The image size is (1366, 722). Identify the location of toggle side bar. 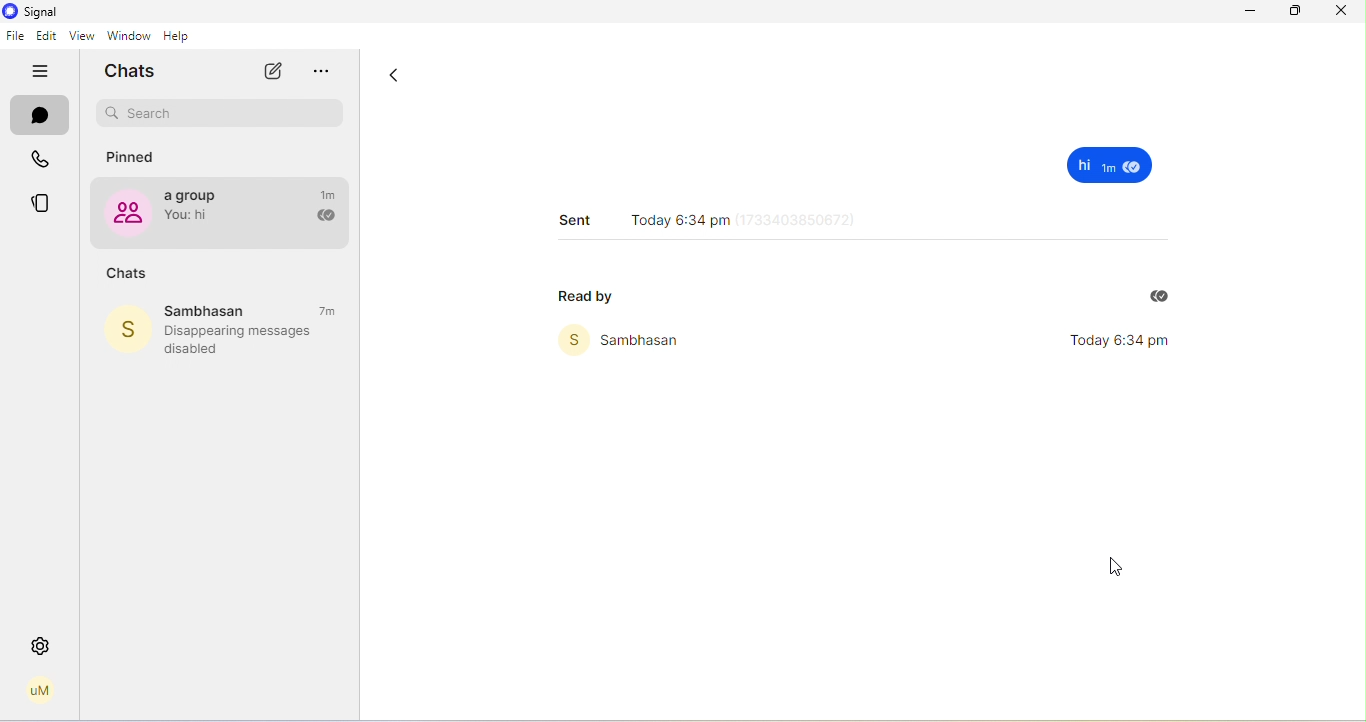
(44, 72).